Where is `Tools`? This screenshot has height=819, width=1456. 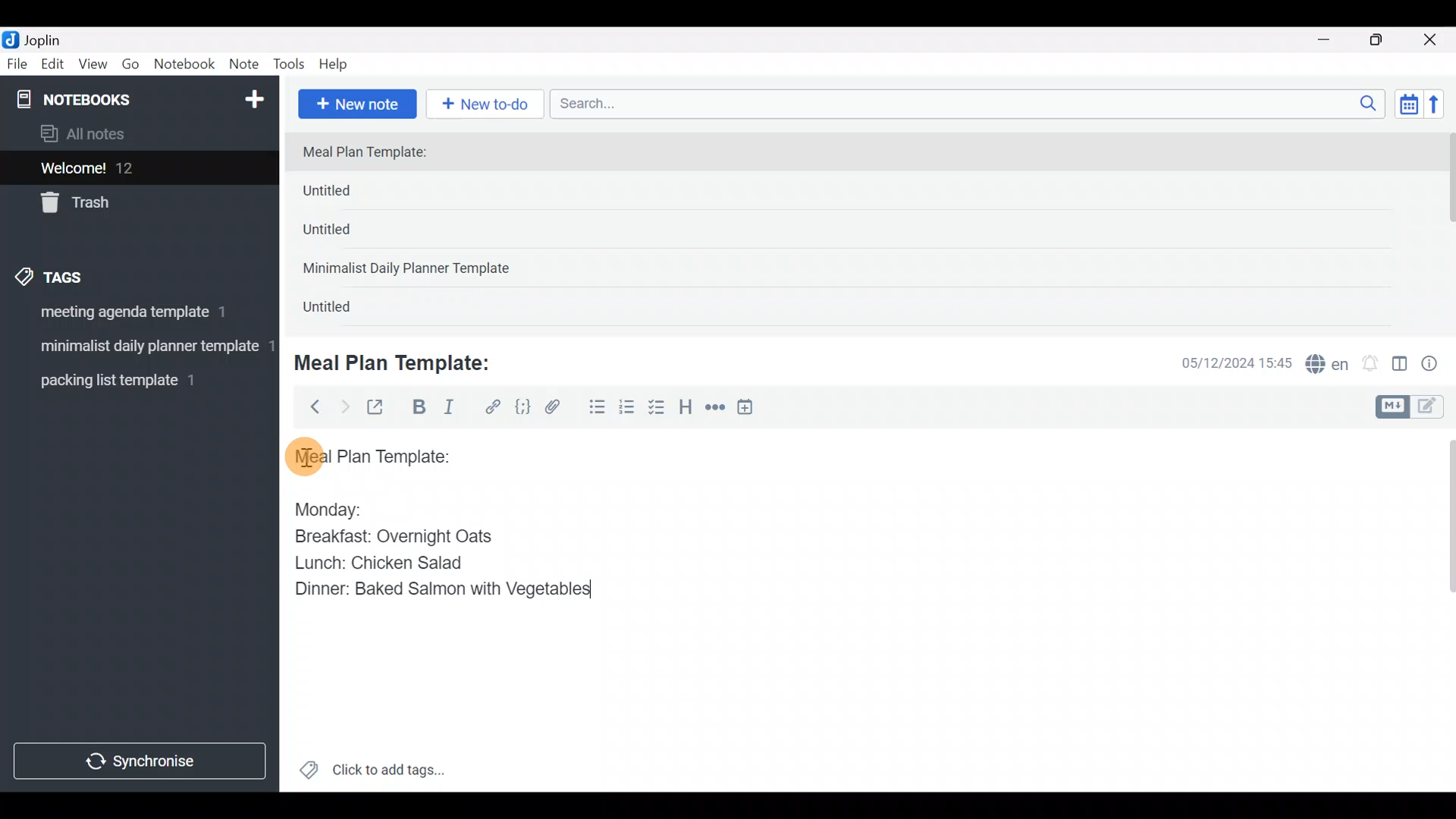
Tools is located at coordinates (290, 65).